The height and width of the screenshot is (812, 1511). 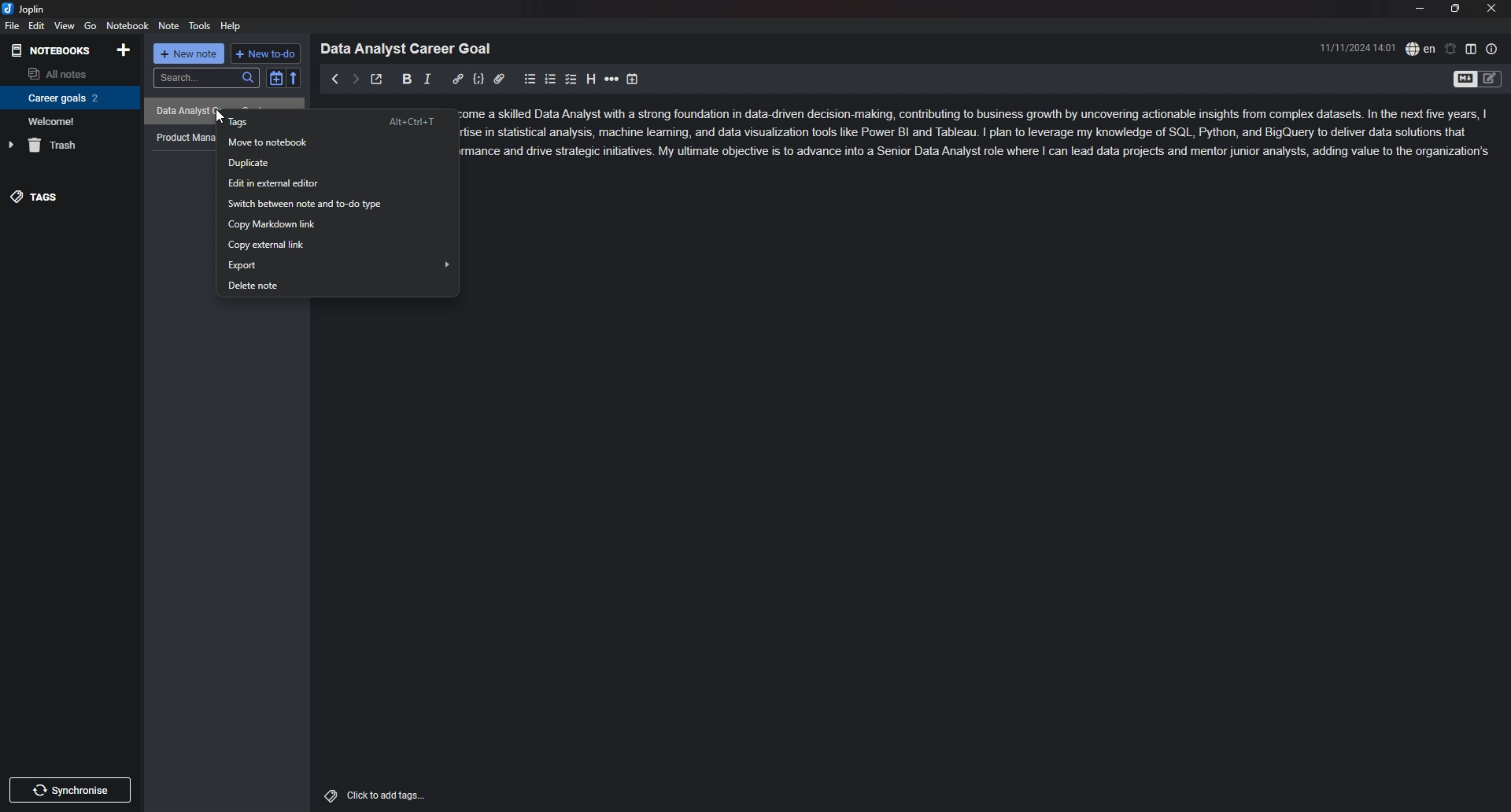 What do you see at coordinates (334, 143) in the screenshot?
I see `move to notebook` at bounding box center [334, 143].